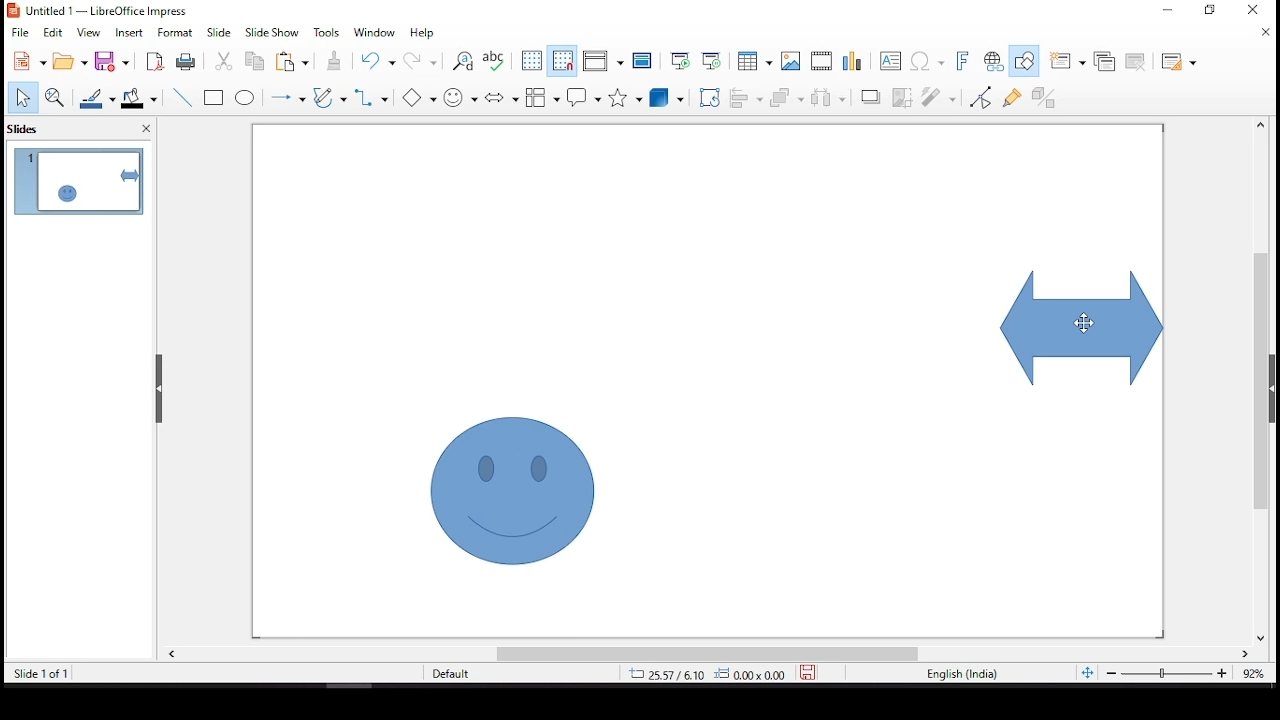 This screenshot has width=1280, height=720. I want to click on align objects, so click(743, 97).